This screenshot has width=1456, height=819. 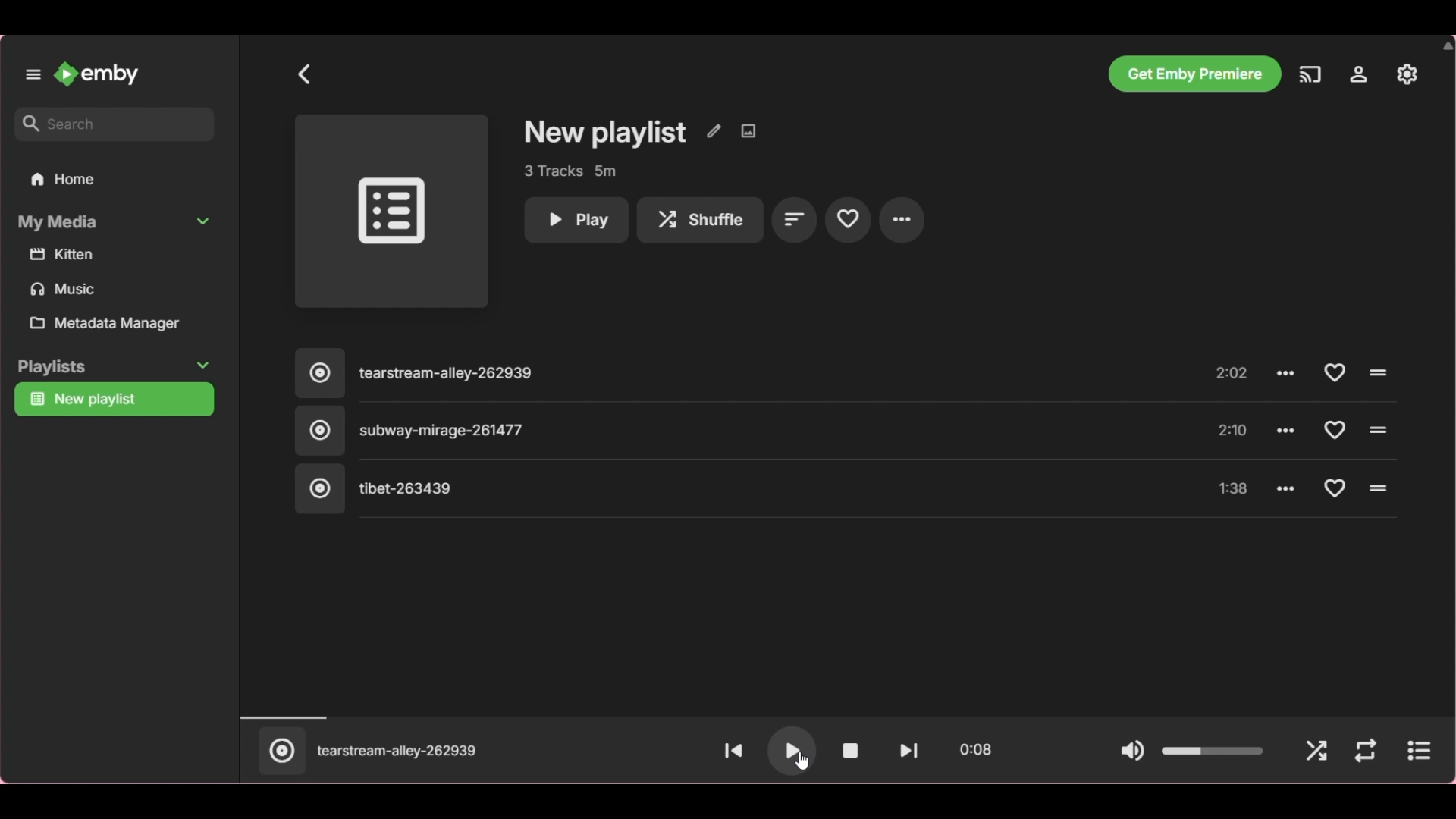 What do you see at coordinates (1310, 74) in the screenshot?
I see `Play on another device` at bounding box center [1310, 74].